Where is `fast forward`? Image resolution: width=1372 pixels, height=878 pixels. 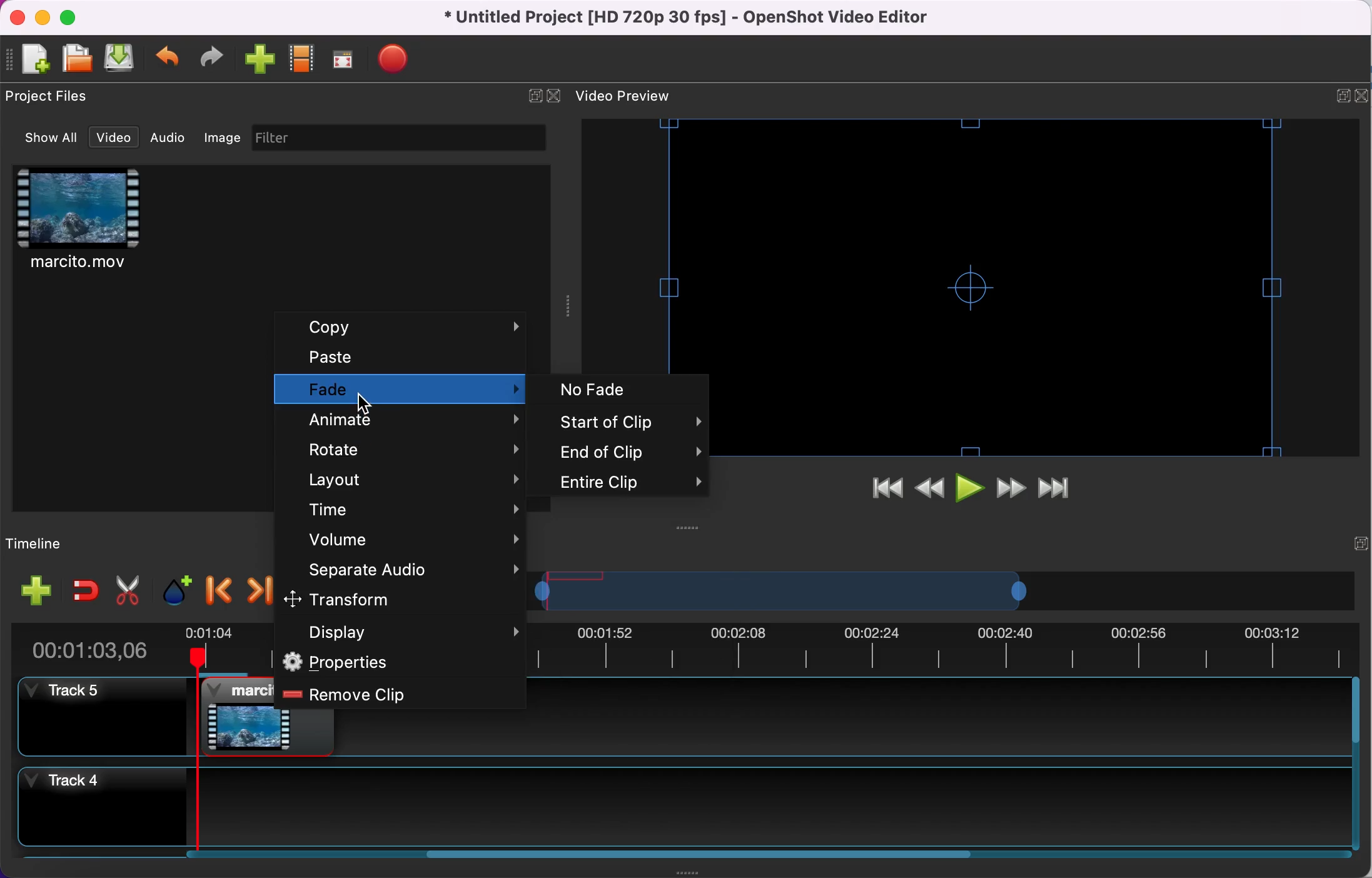 fast forward is located at coordinates (1010, 492).